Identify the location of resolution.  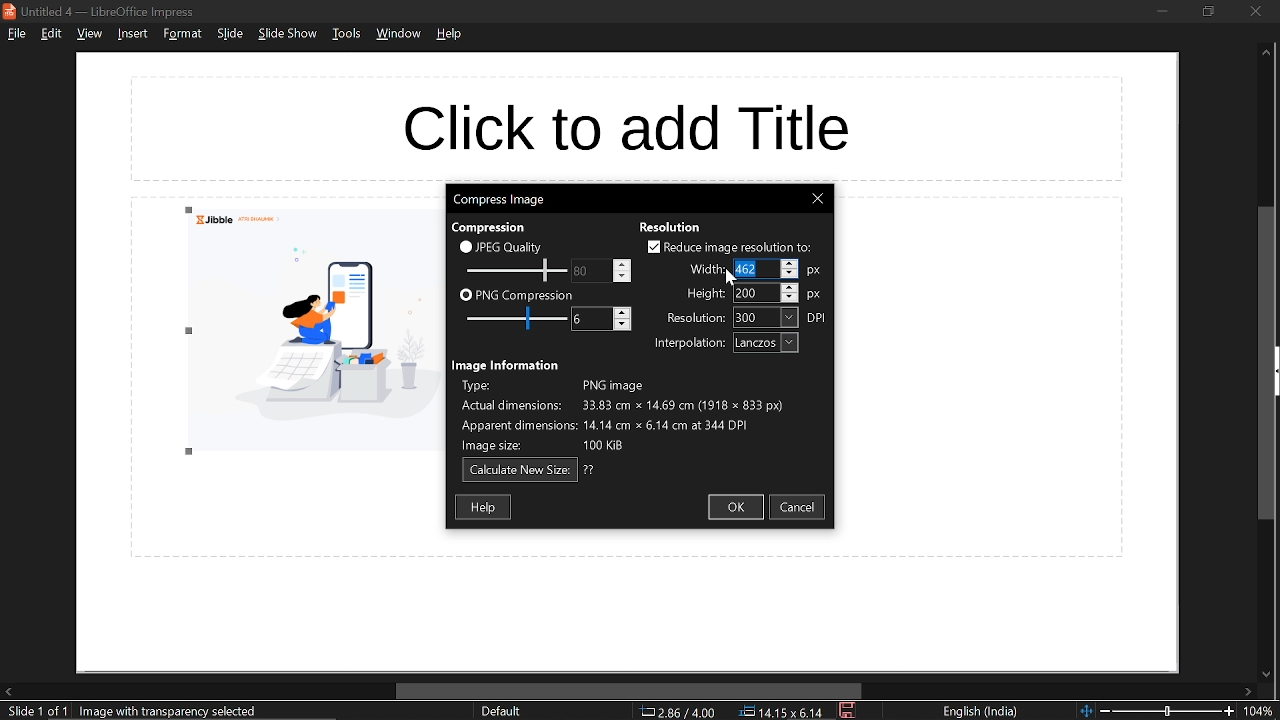
(671, 227).